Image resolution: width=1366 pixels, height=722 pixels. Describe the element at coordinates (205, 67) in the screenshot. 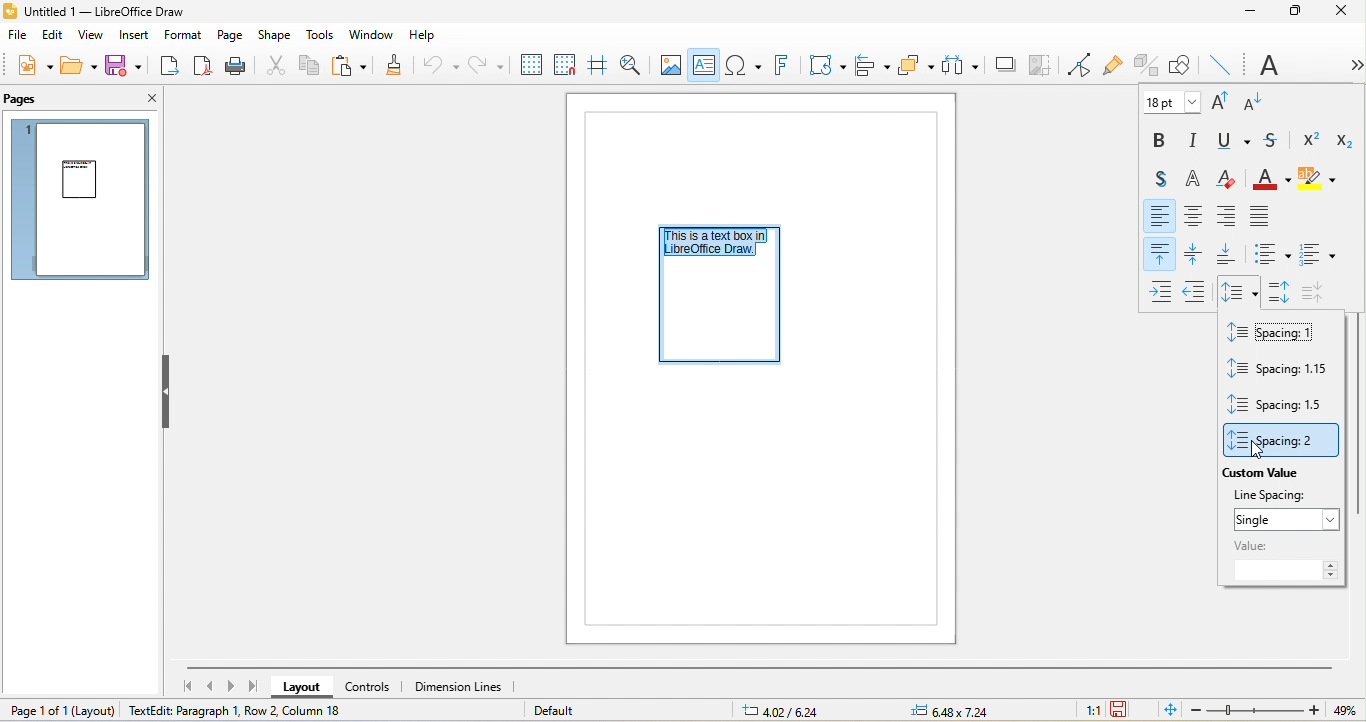

I see `export directly as pdf` at that location.